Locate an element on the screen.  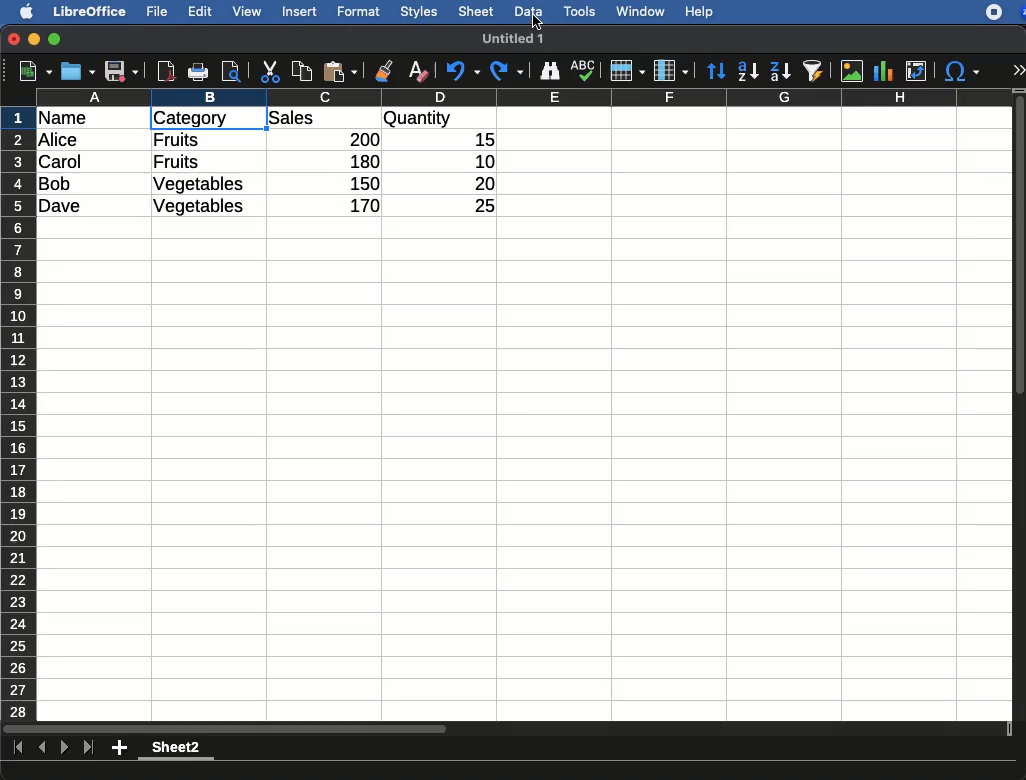
sales is located at coordinates (325, 119).